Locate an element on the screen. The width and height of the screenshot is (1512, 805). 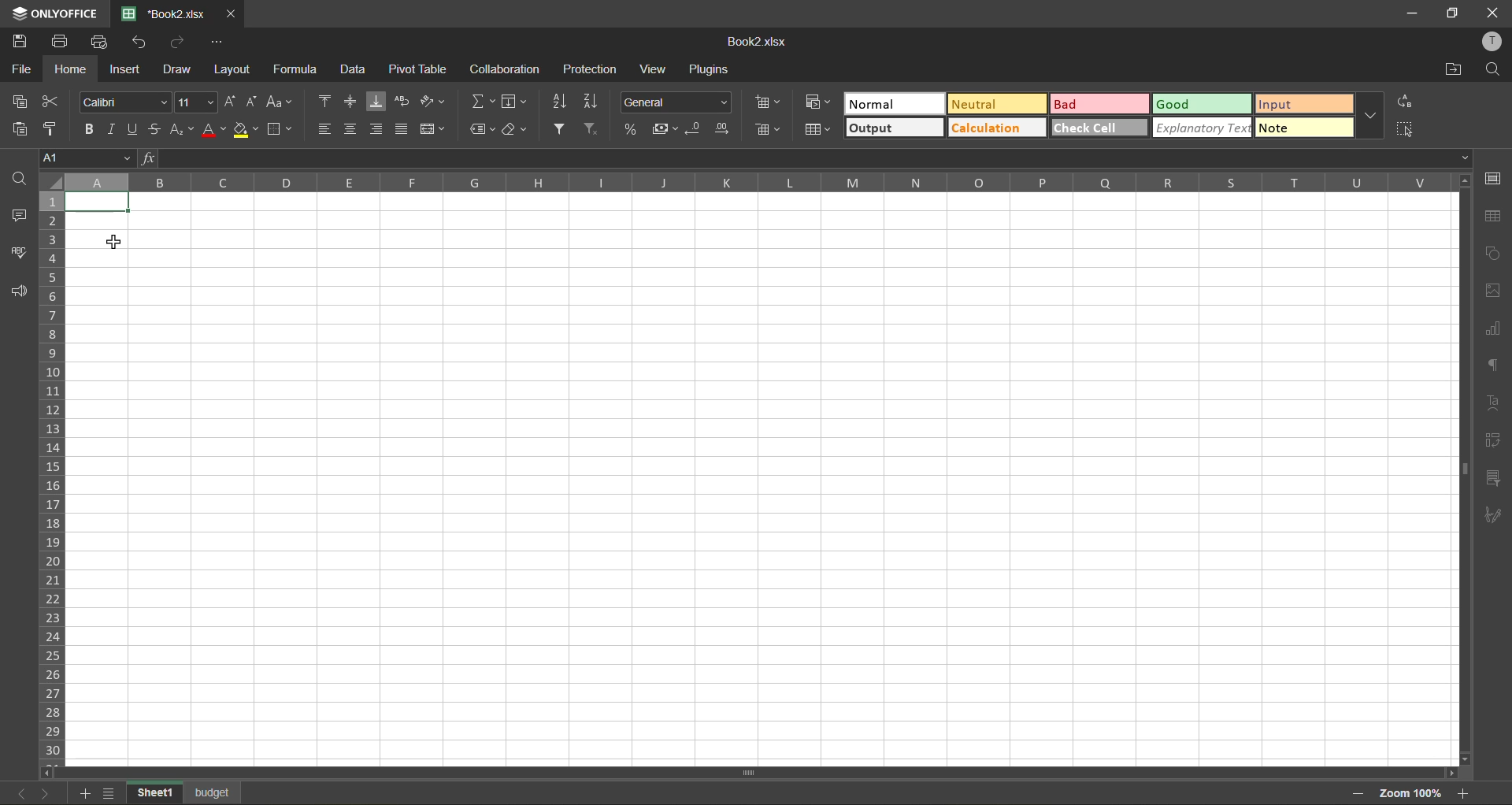
accounting is located at coordinates (665, 128).